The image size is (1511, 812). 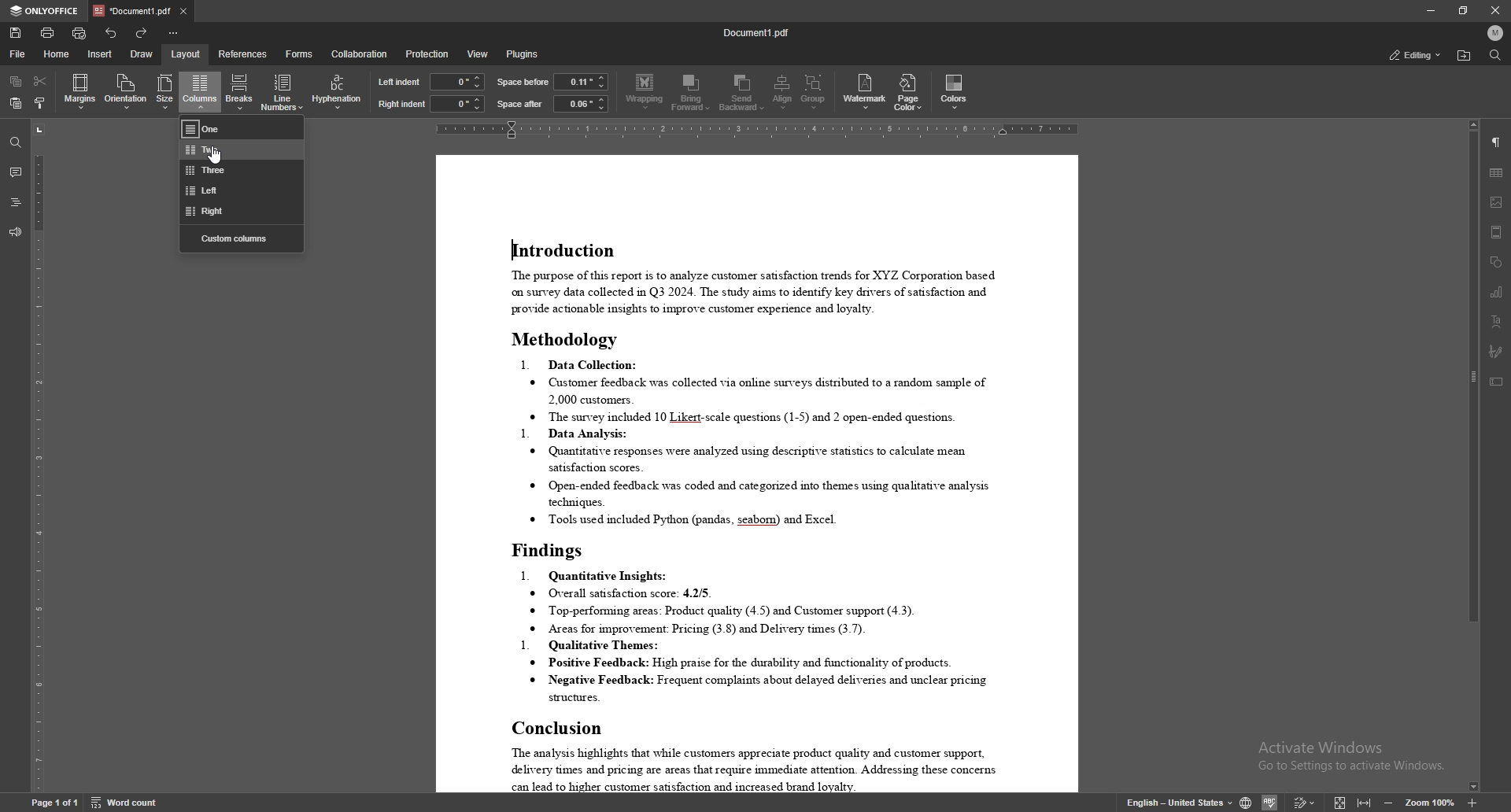 I want to click on file name, so click(x=756, y=31).